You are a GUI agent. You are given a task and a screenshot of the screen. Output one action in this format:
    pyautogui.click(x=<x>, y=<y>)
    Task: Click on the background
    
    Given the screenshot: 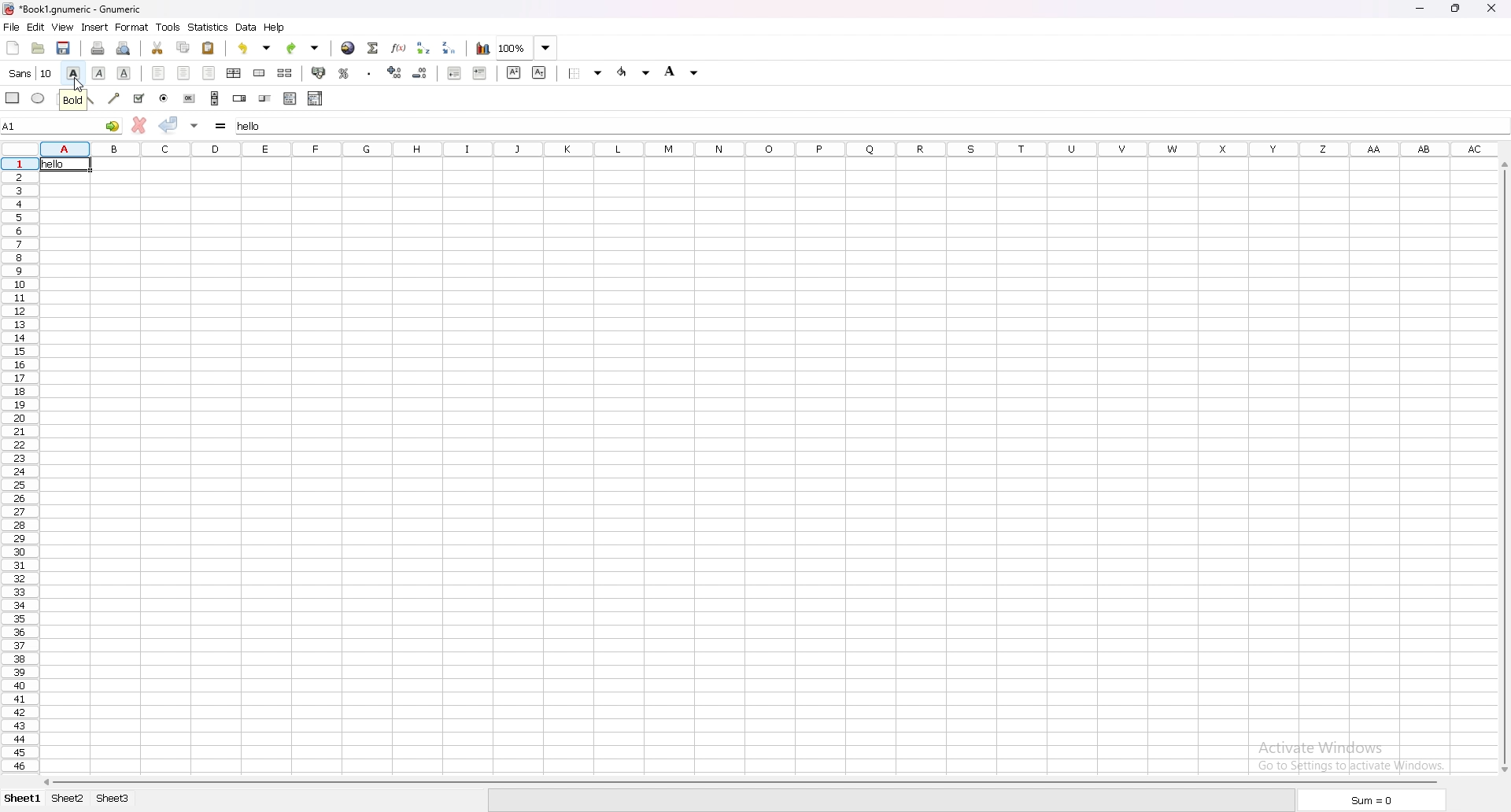 What is the action you would take?
    pyautogui.click(x=636, y=72)
    